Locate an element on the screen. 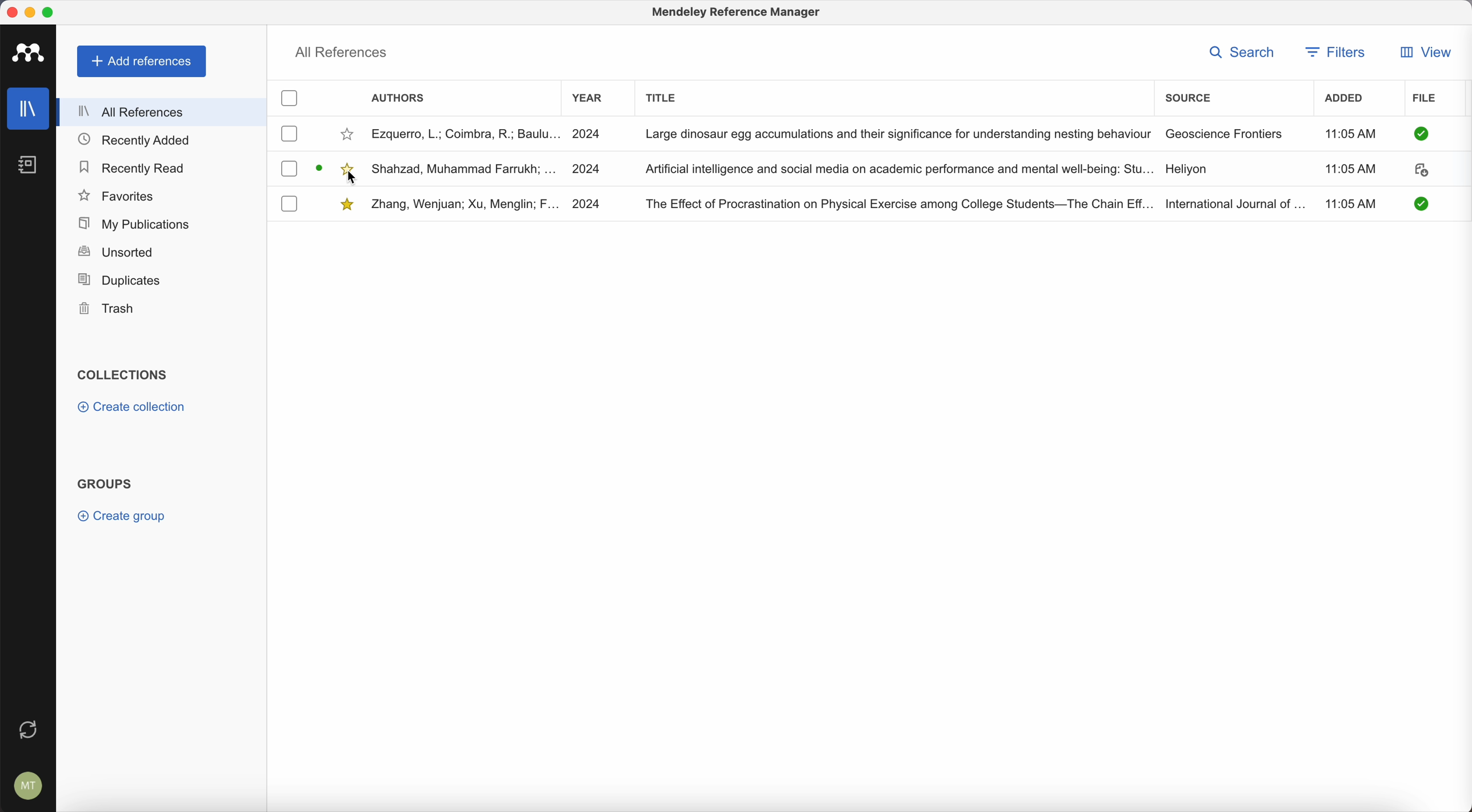 The height and width of the screenshot is (812, 1472). create group is located at coordinates (125, 516).